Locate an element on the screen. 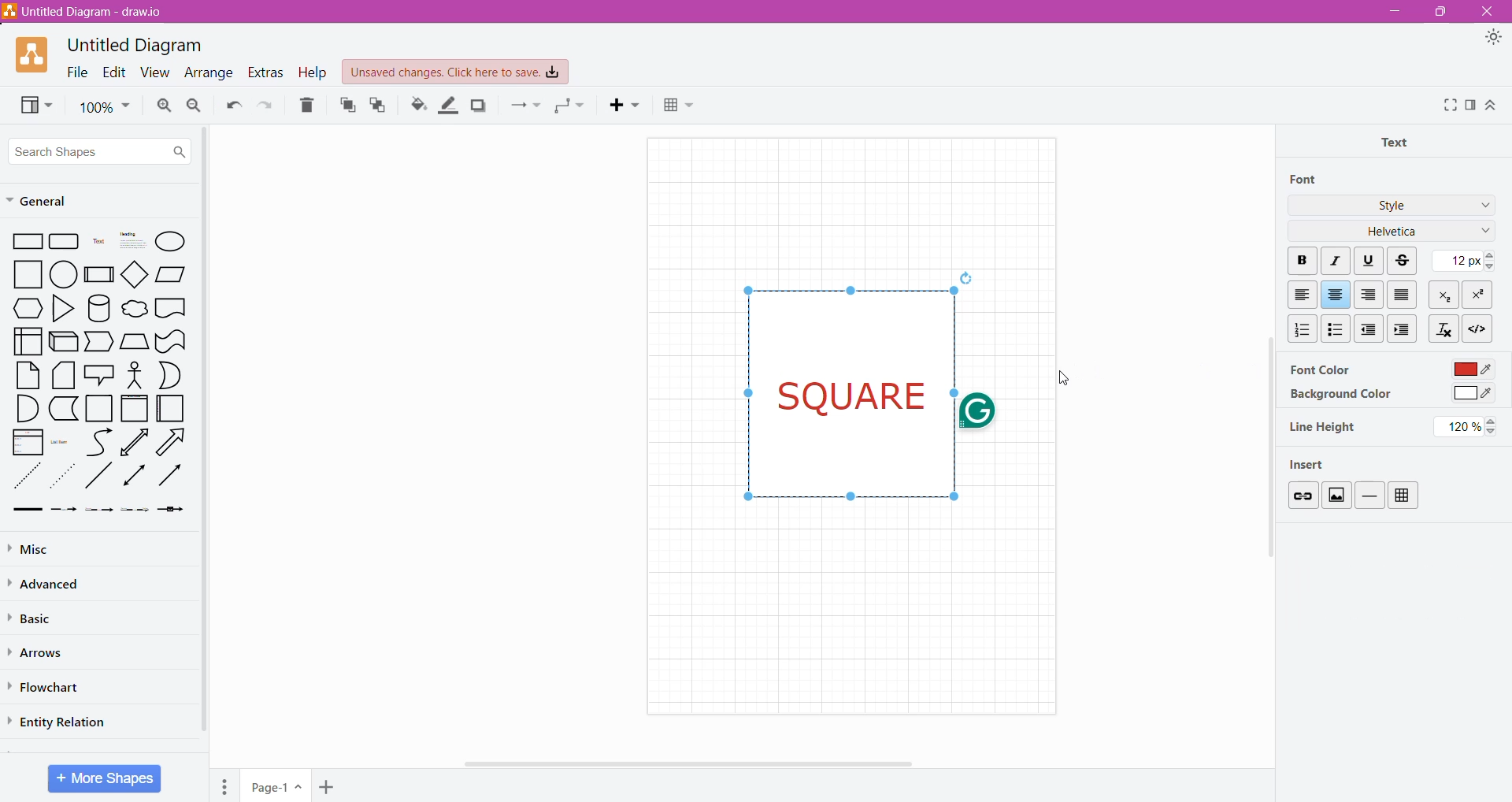  Triangle  is located at coordinates (62, 307).